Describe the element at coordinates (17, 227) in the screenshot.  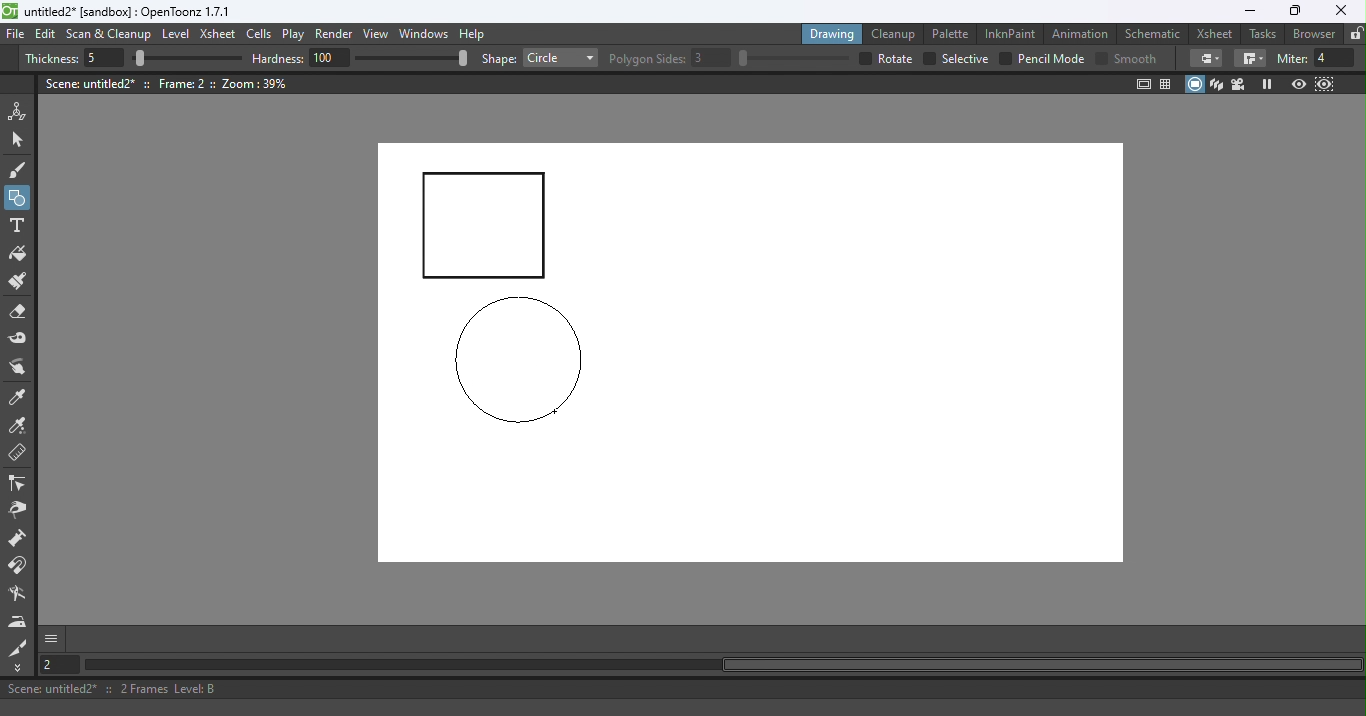
I see `Type tool` at that location.